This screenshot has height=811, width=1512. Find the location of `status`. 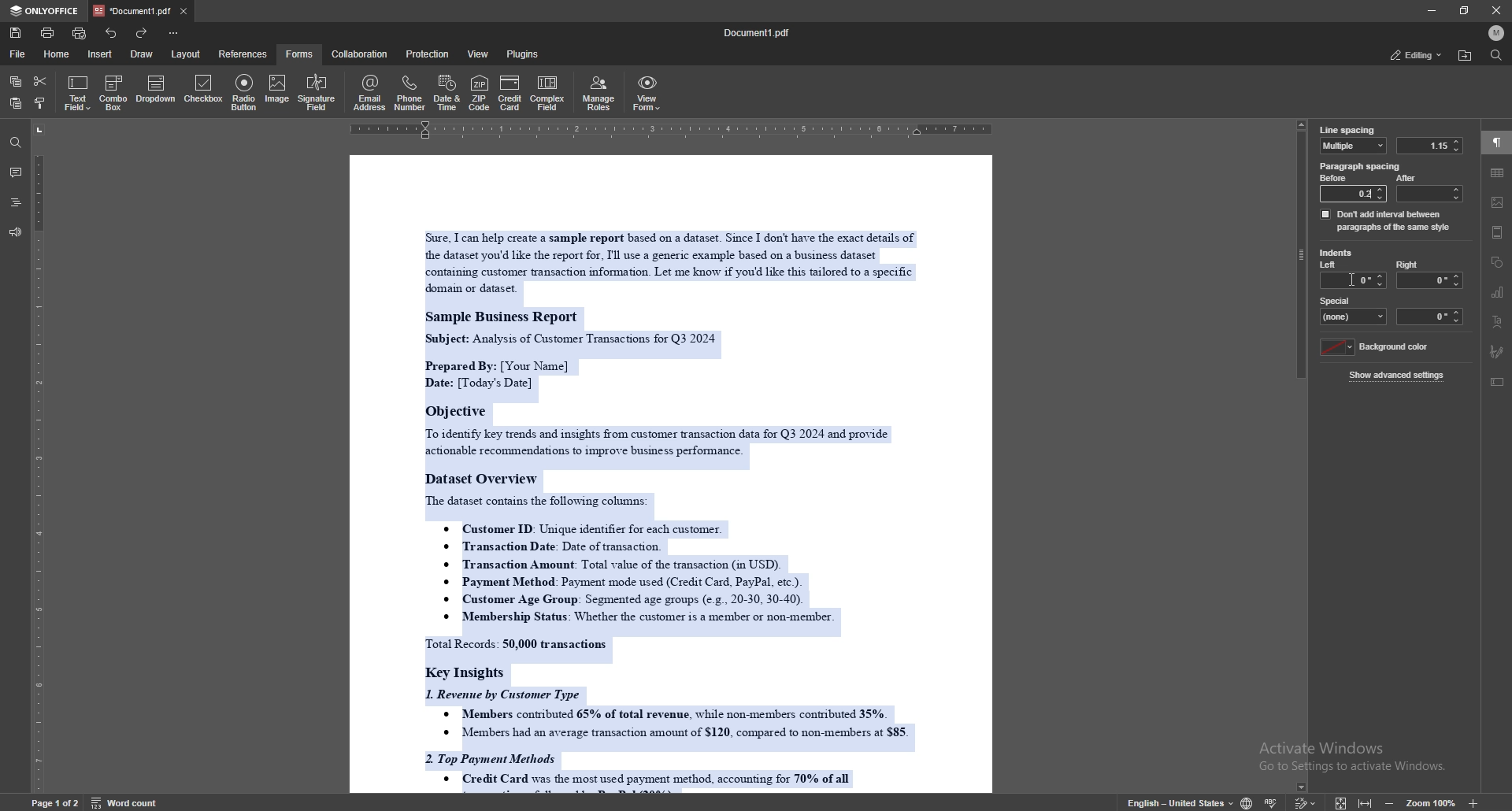

status is located at coordinates (1415, 54).